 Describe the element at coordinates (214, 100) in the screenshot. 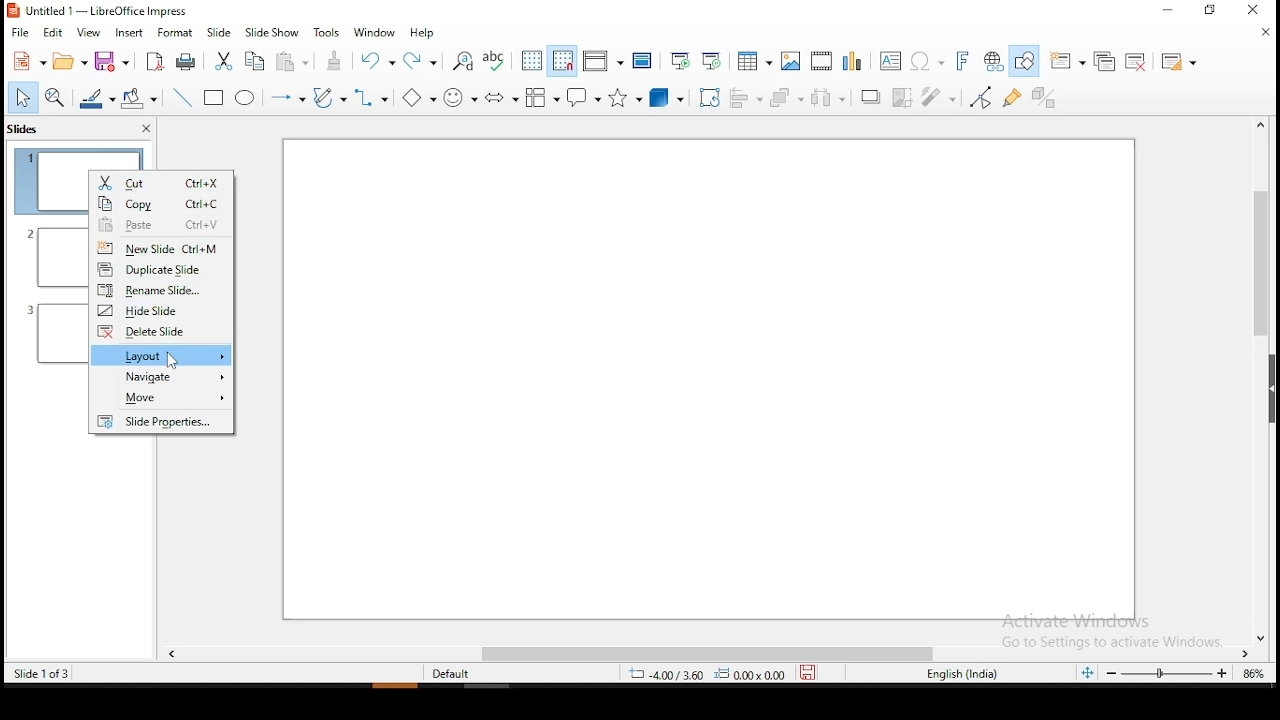

I see `` at that location.